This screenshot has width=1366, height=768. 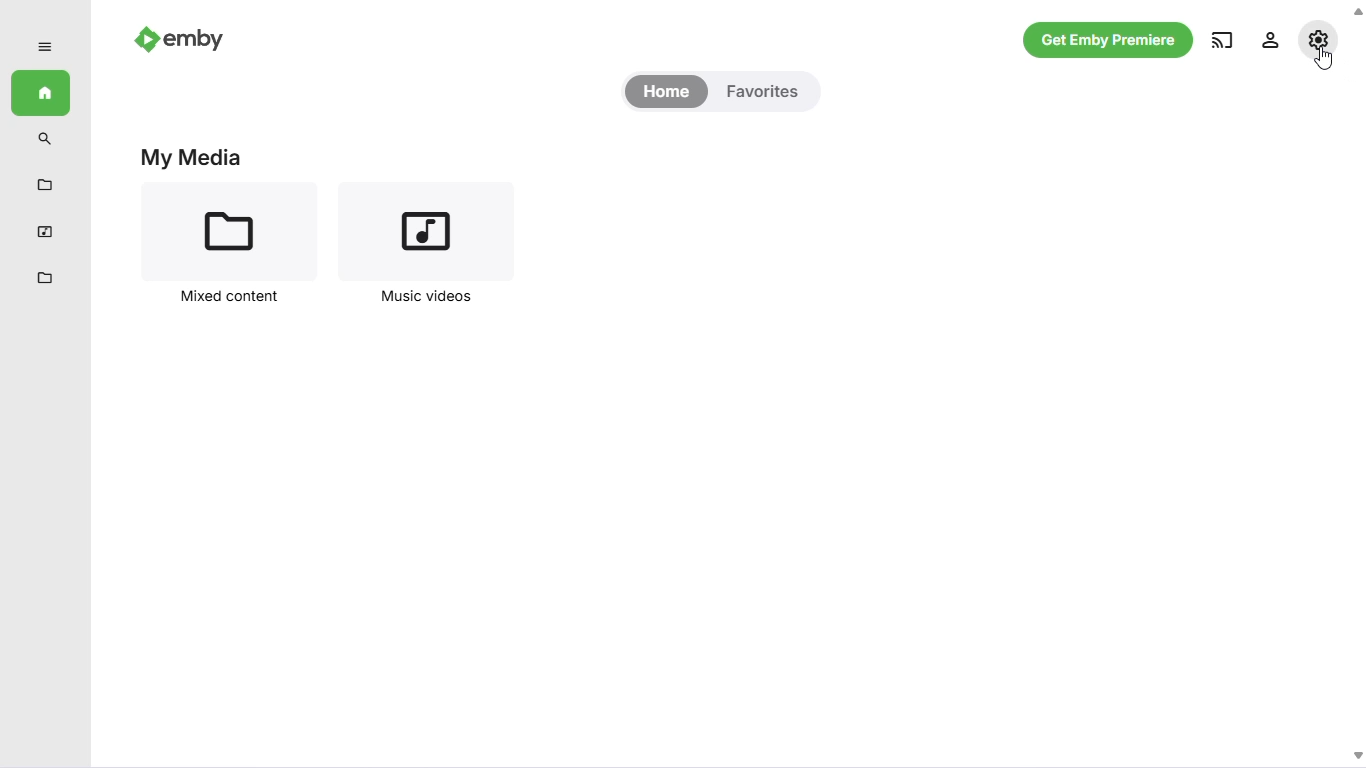 What do you see at coordinates (45, 279) in the screenshot?
I see `mixed content` at bounding box center [45, 279].